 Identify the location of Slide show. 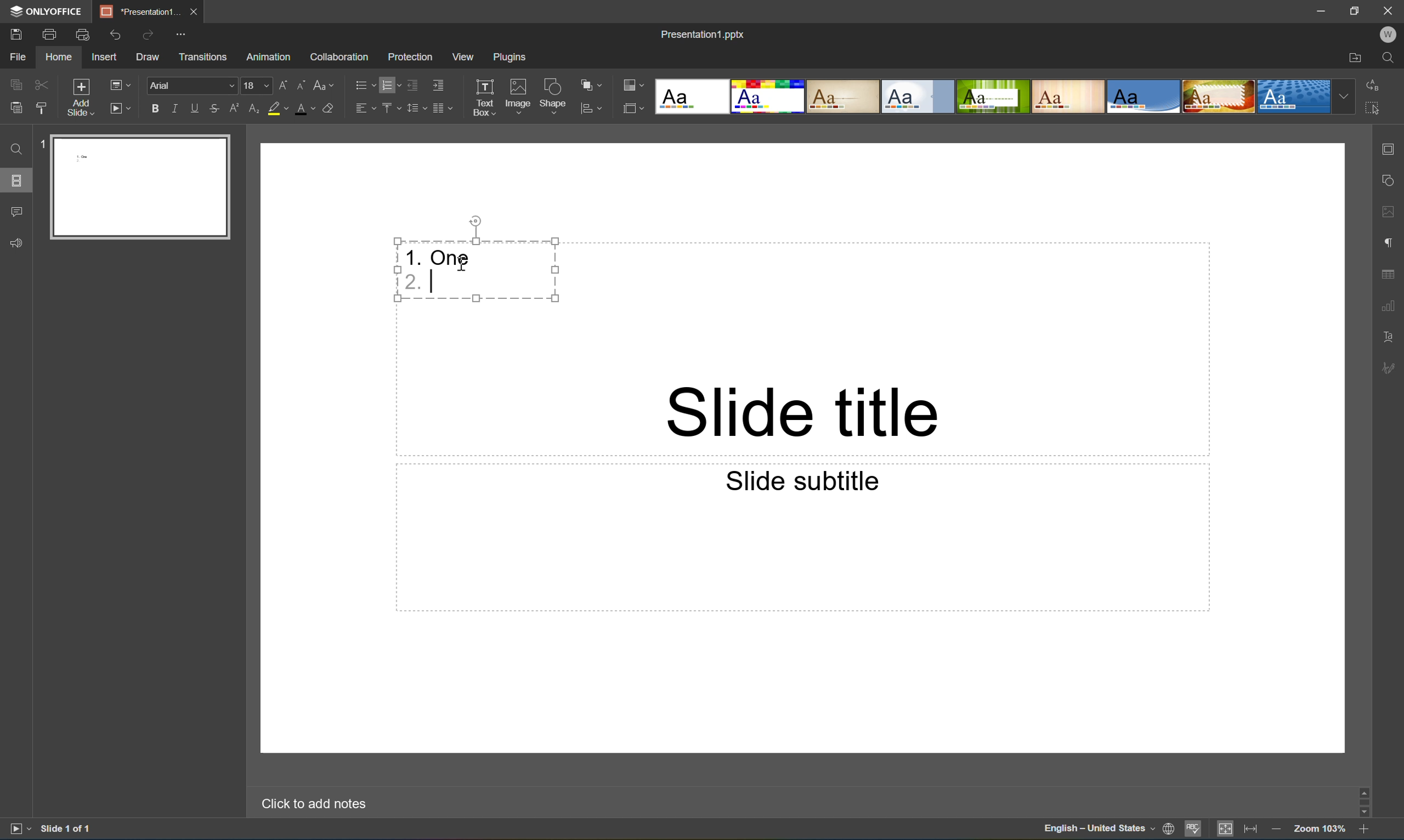
(18, 829).